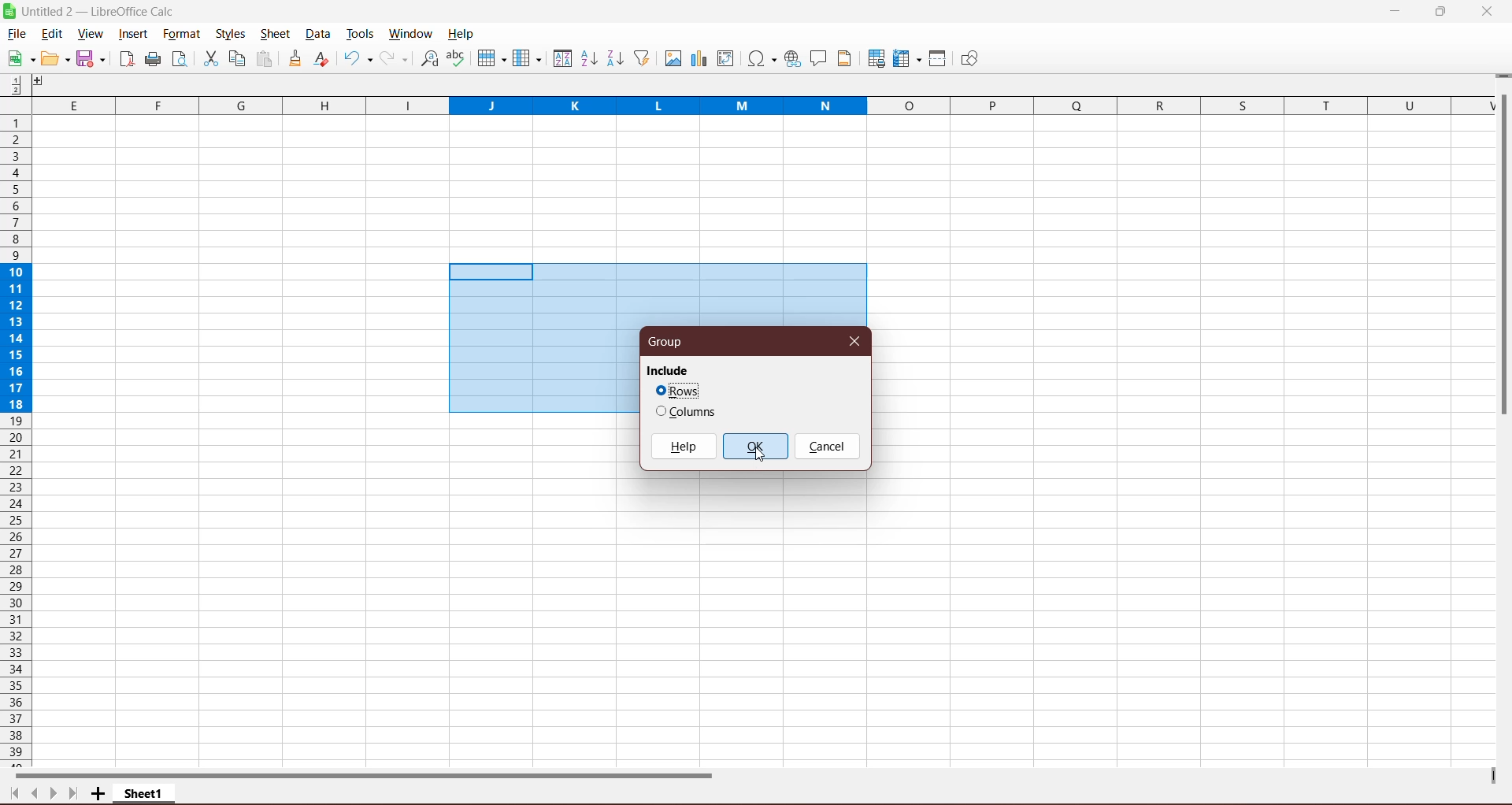  Describe the element at coordinates (265, 60) in the screenshot. I see `Paste` at that location.